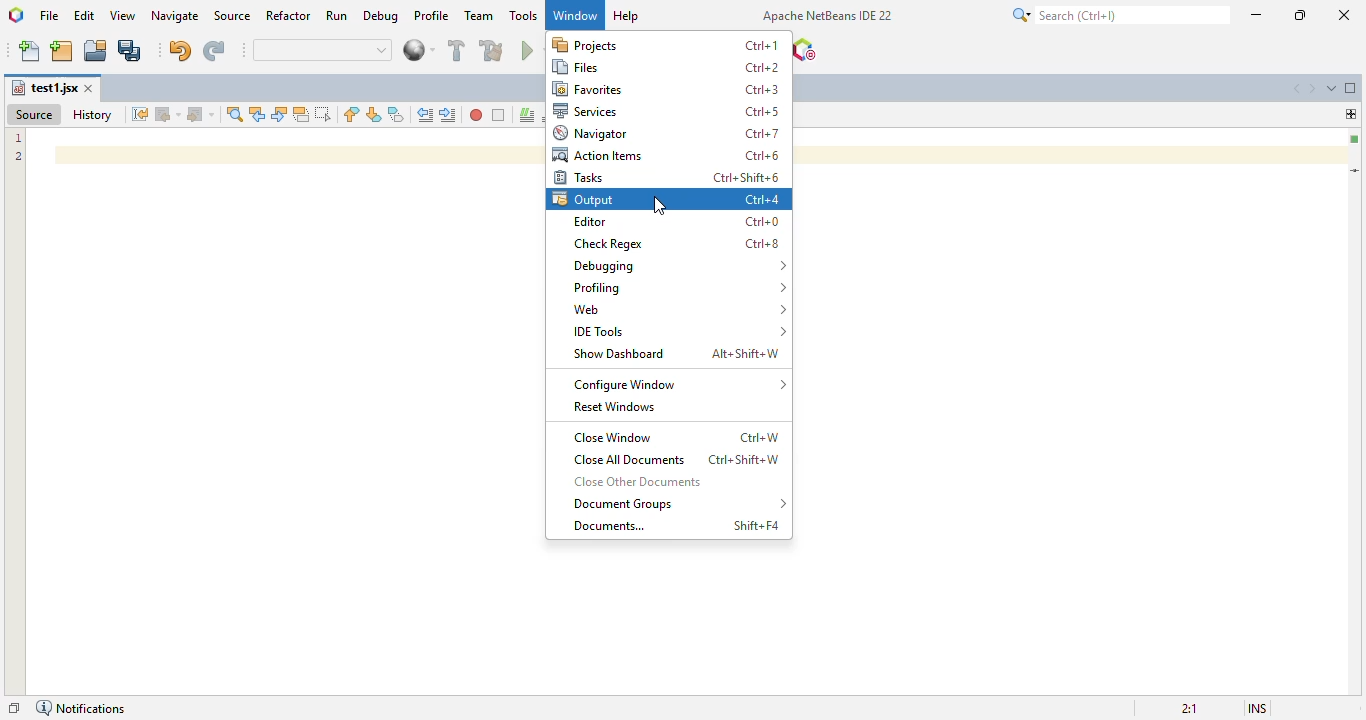 The image size is (1366, 720). Describe the element at coordinates (1192, 704) in the screenshot. I see `2:1` at that location.